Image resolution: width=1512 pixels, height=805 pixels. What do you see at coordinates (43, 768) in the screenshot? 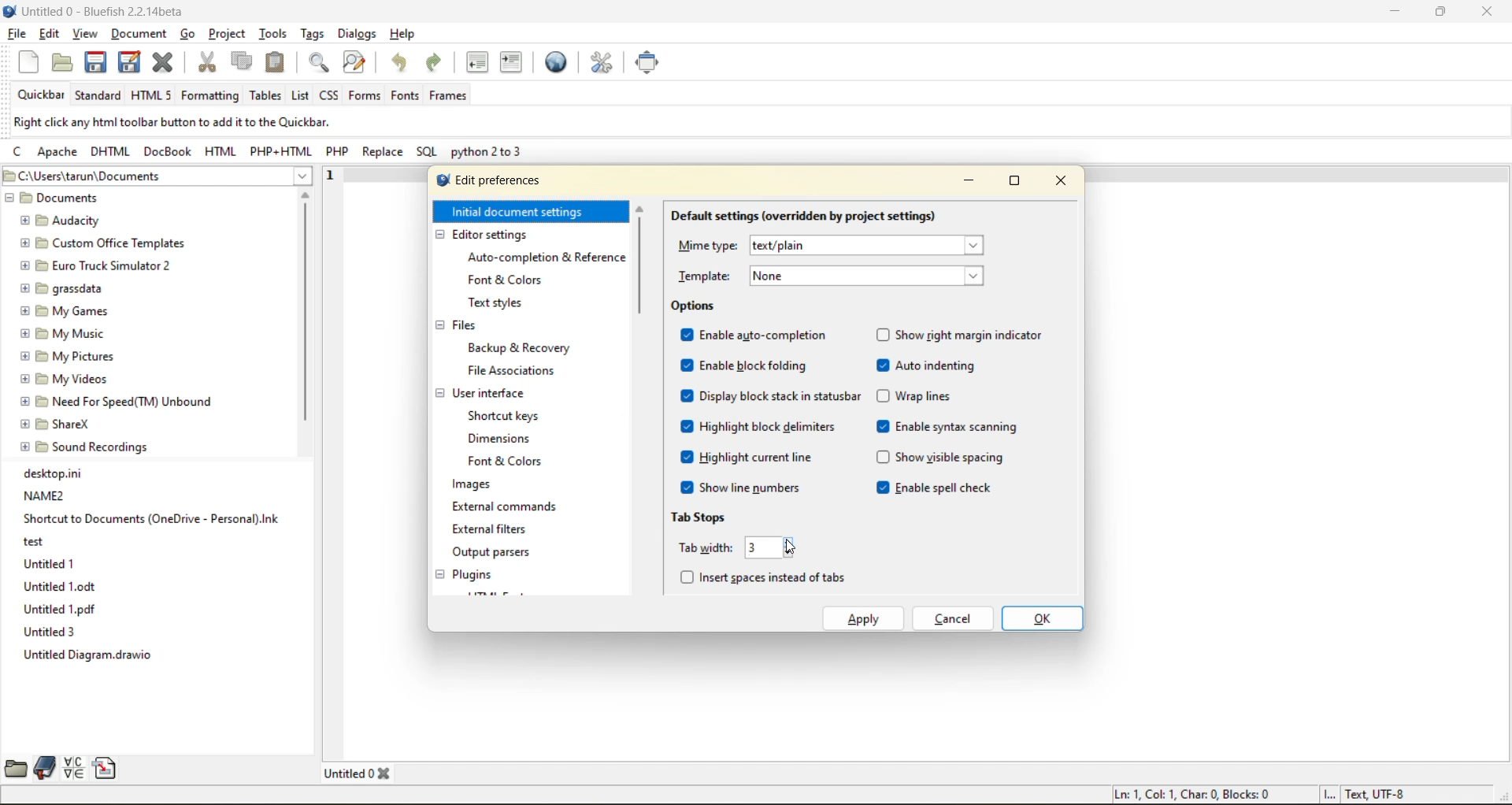
I see `bookmarks` at bounding box center [43, 768].